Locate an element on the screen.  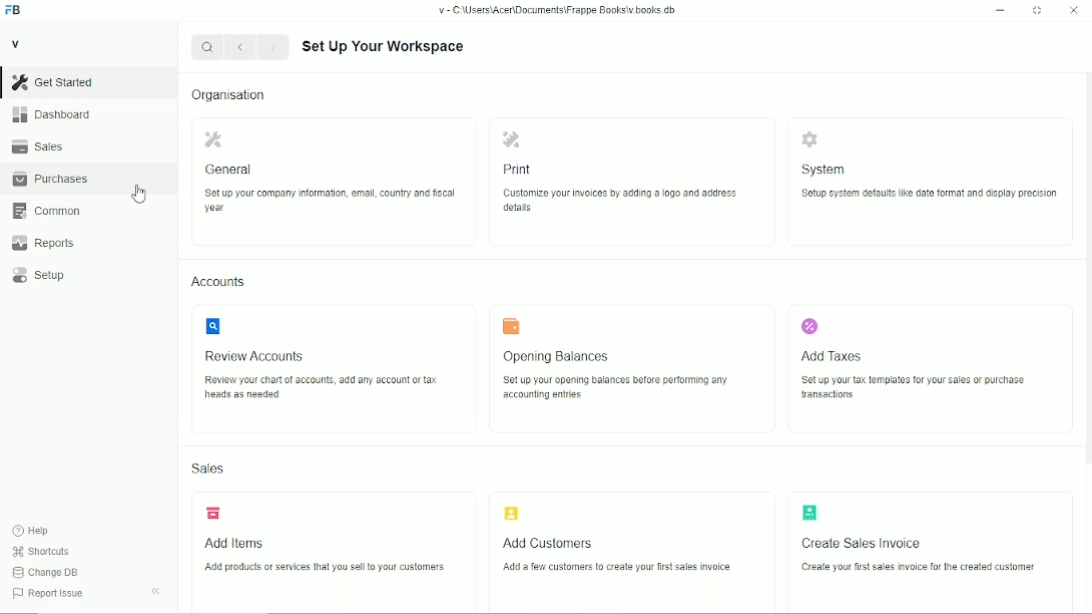
Organisation is located at coordinates (228, 95).